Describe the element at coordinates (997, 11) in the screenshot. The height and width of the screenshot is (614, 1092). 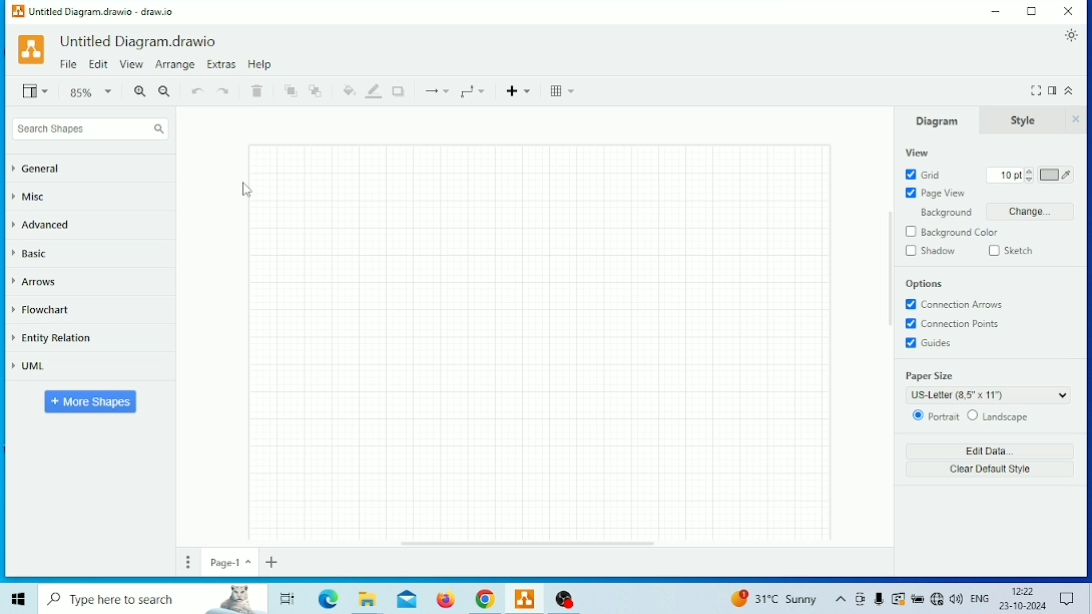
I see `Minimize` at that location.